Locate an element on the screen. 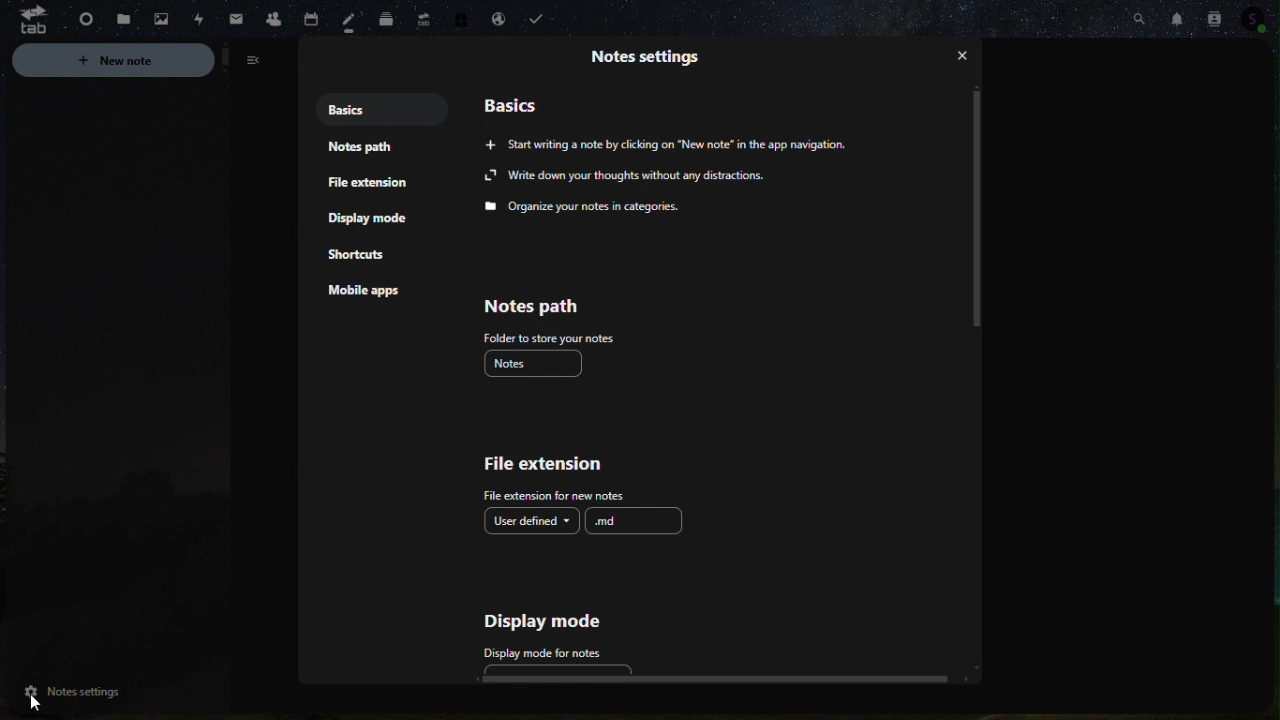 This screenshot has width=1280, height=720. Notes path is located at coordinates (544, 304).